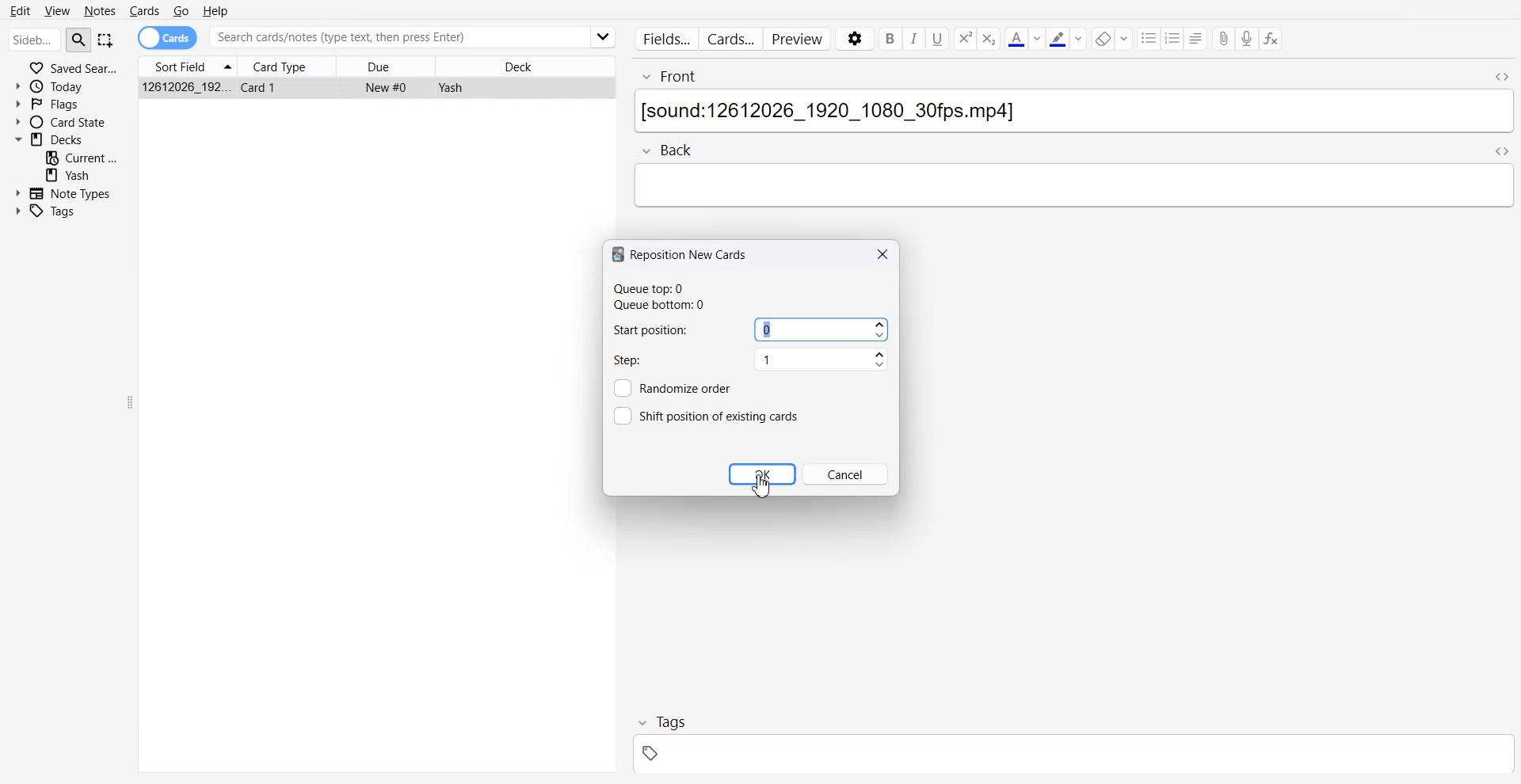 The height and width of the screenshot is (784, 1521). I want to click on Deck, so click(527, 65).